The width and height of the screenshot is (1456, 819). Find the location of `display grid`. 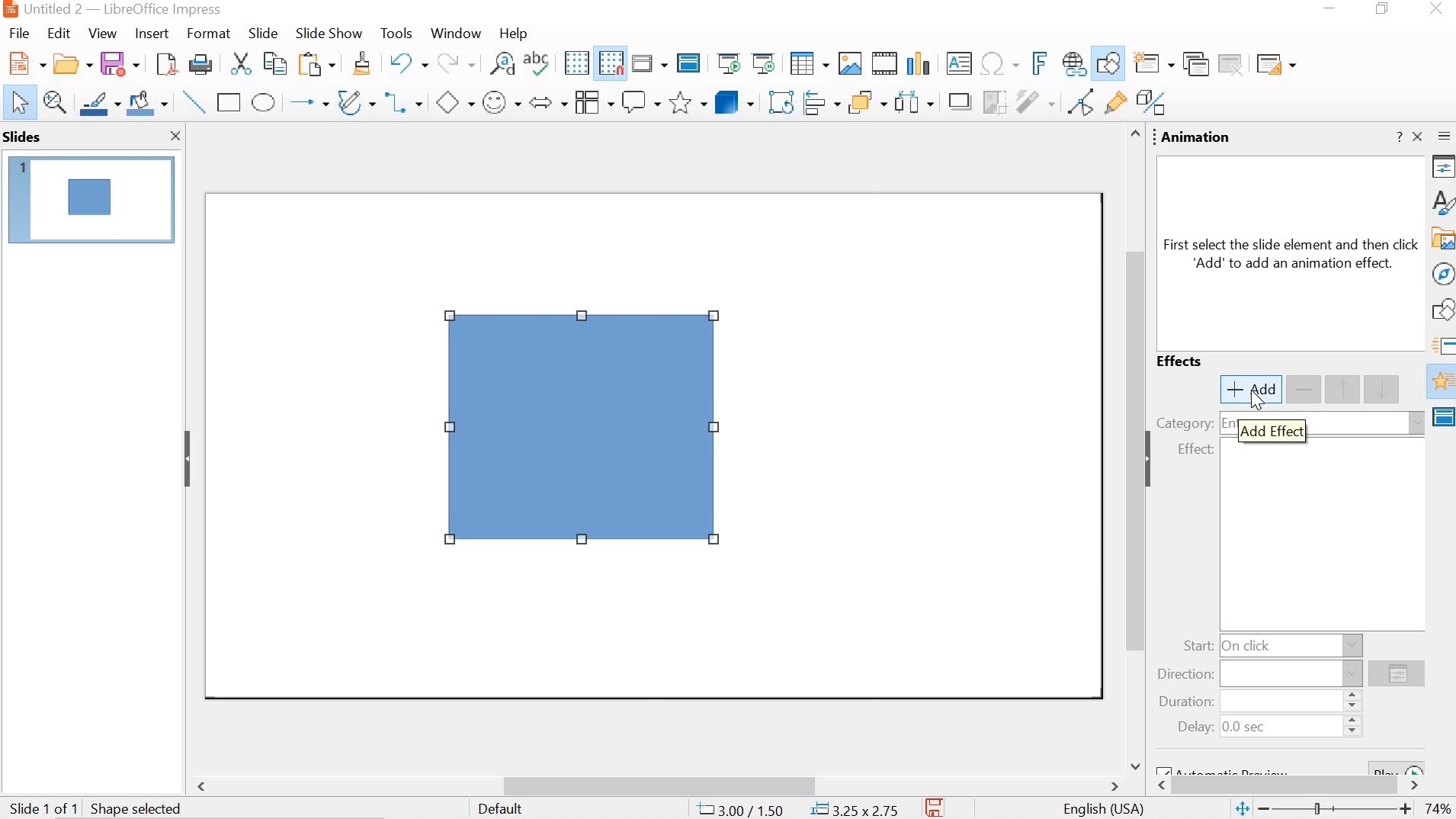

display grid is located at coordinates (576, 63).